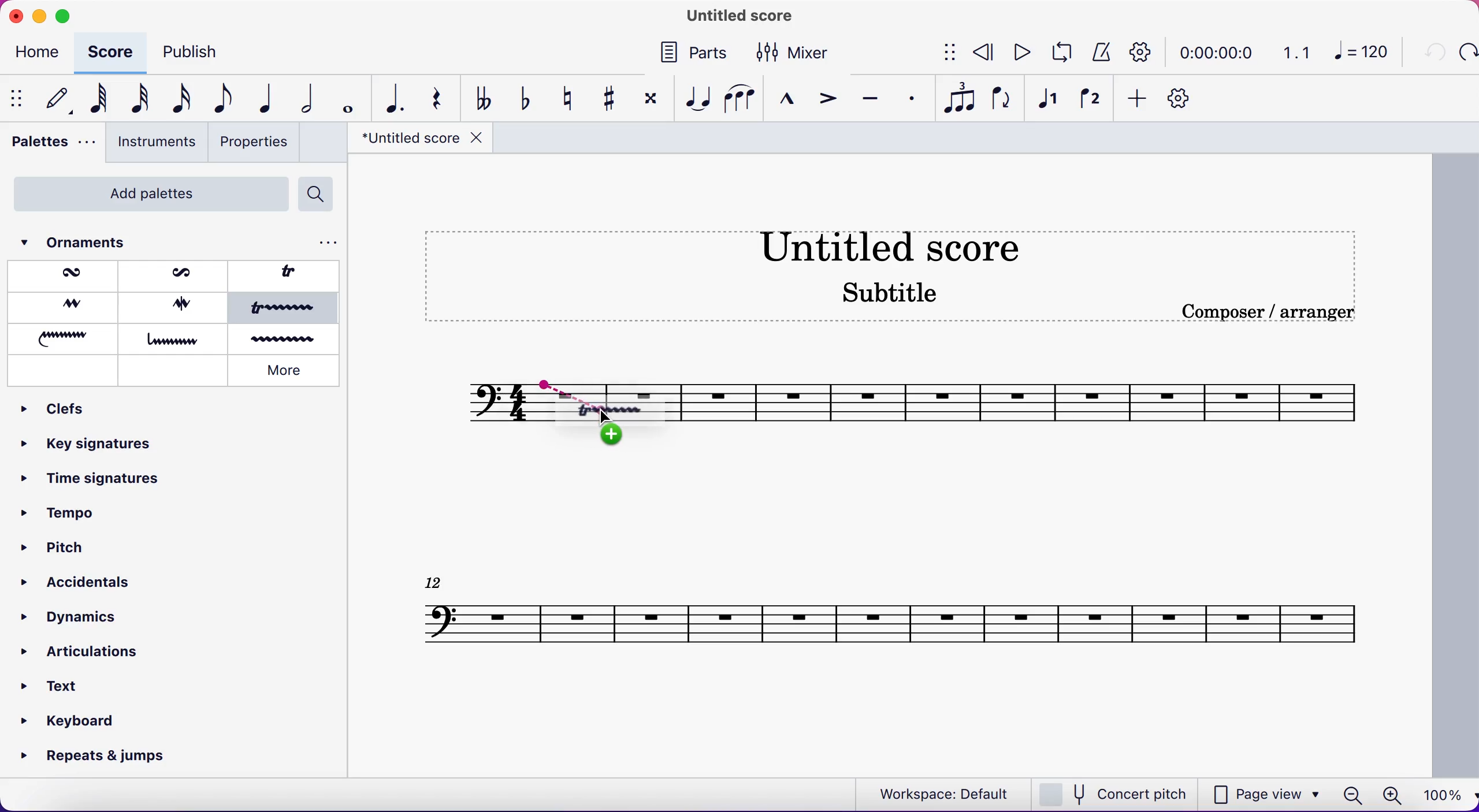 The image size is (1479, 812). Describe the element at coordinates (1090, 100) in the screenshot. I see `voice 2` at that location.